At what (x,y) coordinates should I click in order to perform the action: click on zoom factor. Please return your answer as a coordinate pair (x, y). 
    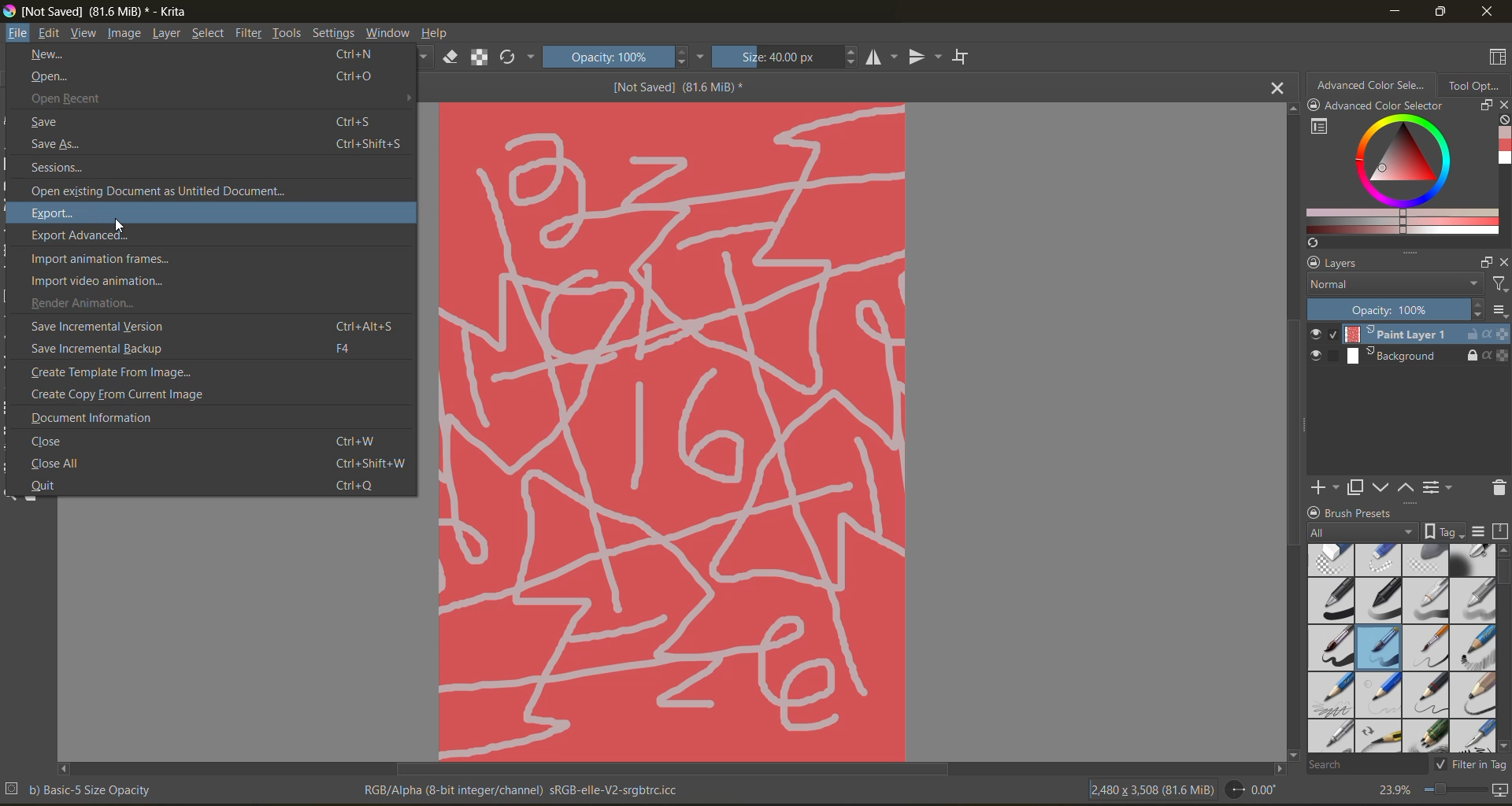
    Looking at the image, I should click on (1392, 791).